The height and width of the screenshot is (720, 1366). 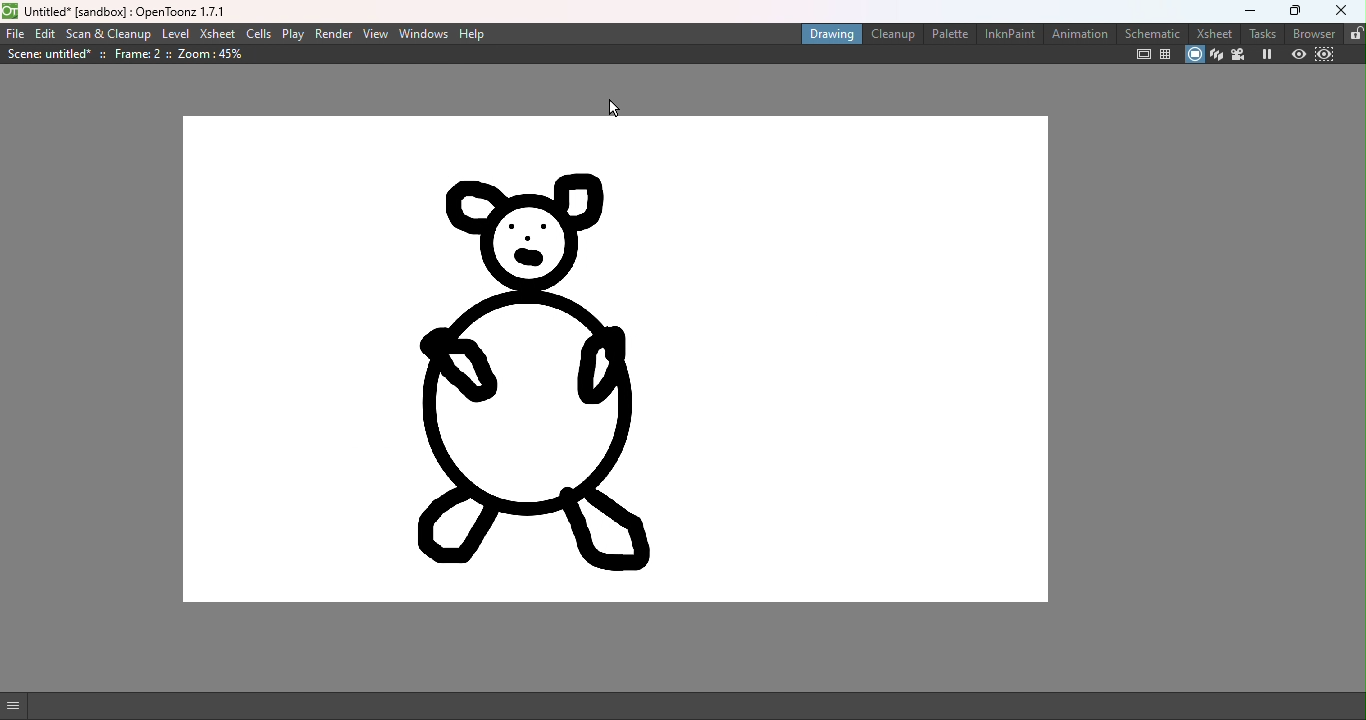 I want to click on Scene details, so click(x=124, y=55).